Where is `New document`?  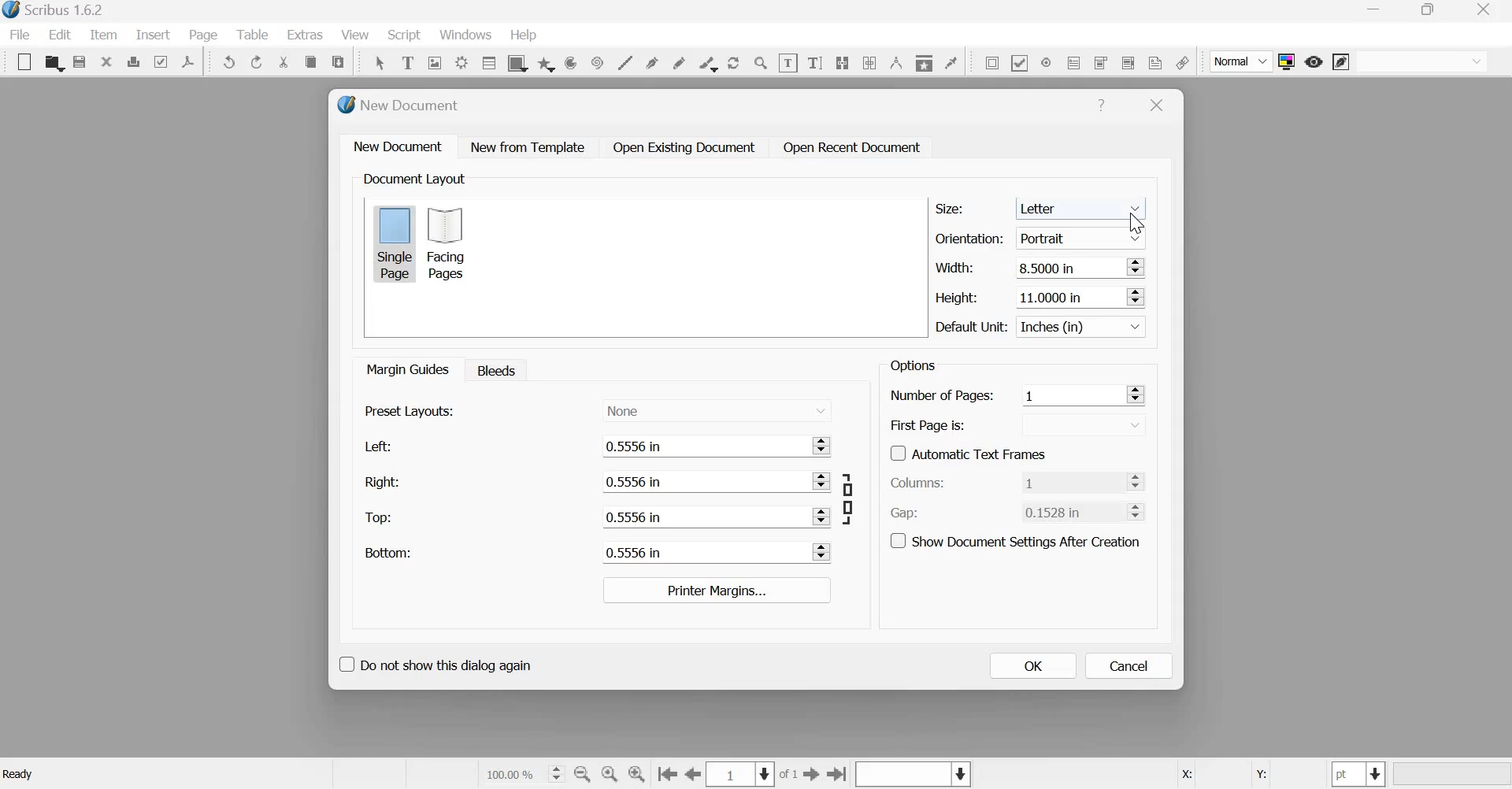 New document is located at coordinates (398, 146).